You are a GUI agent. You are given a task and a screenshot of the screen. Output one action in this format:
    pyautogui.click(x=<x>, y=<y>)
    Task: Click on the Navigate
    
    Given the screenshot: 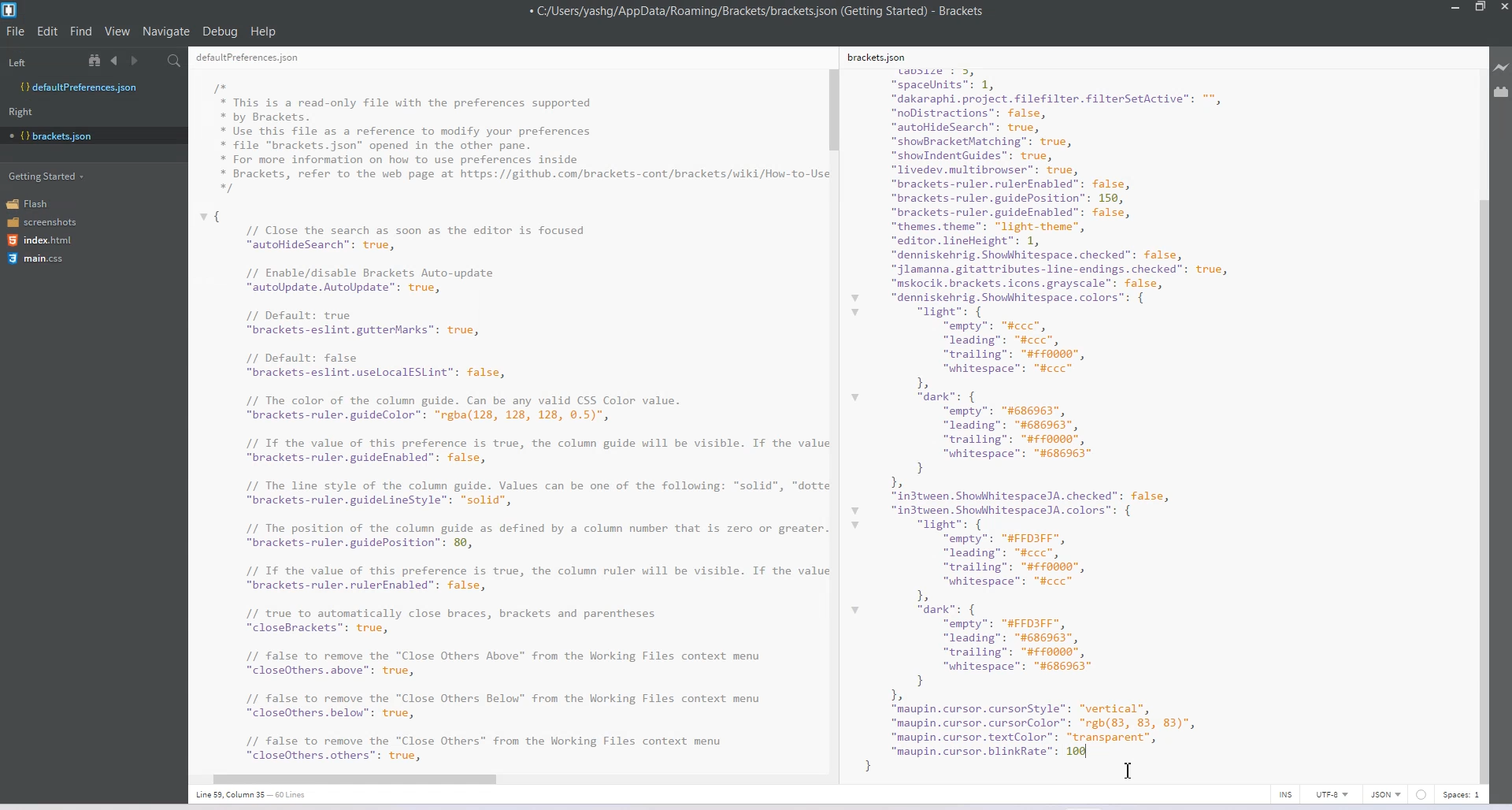 What is the action you would take?
    pyautogui.click(x=168, y=32)
    